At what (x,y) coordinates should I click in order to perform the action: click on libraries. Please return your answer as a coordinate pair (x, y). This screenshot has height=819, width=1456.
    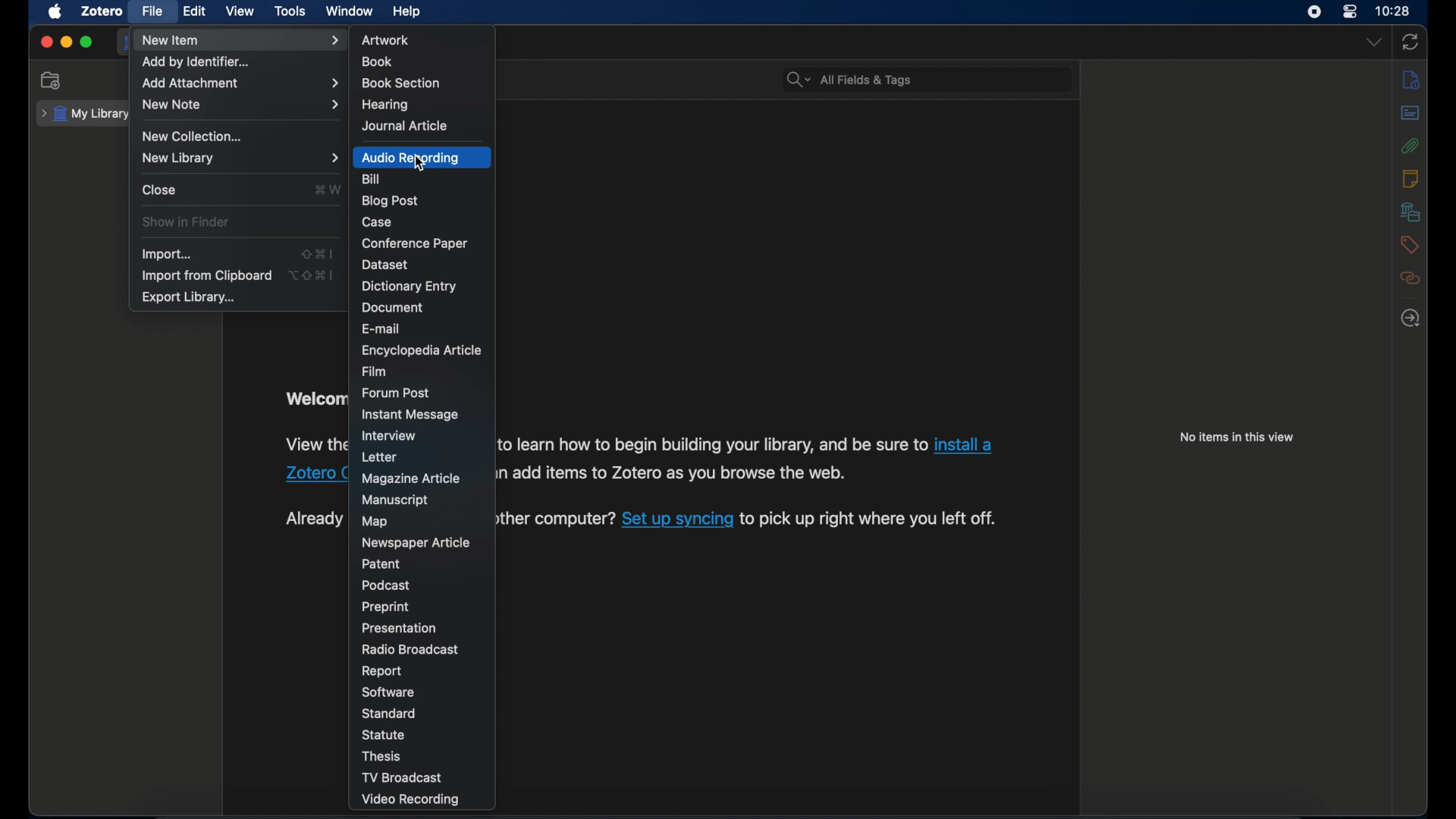
    Looking at the image, I should click on (1410, 212).